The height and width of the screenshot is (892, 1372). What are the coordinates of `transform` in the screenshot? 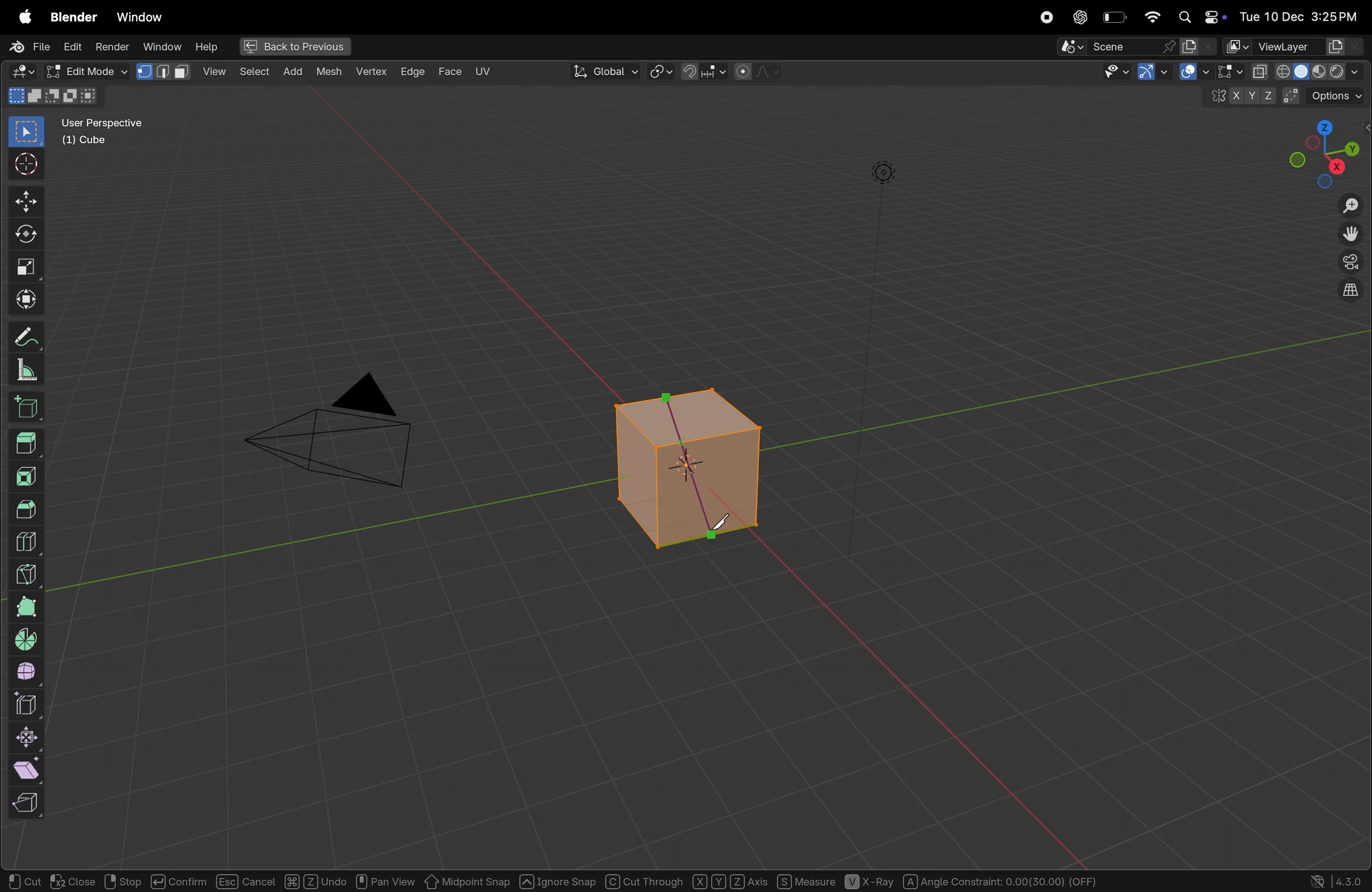 It's located at (24, 237).